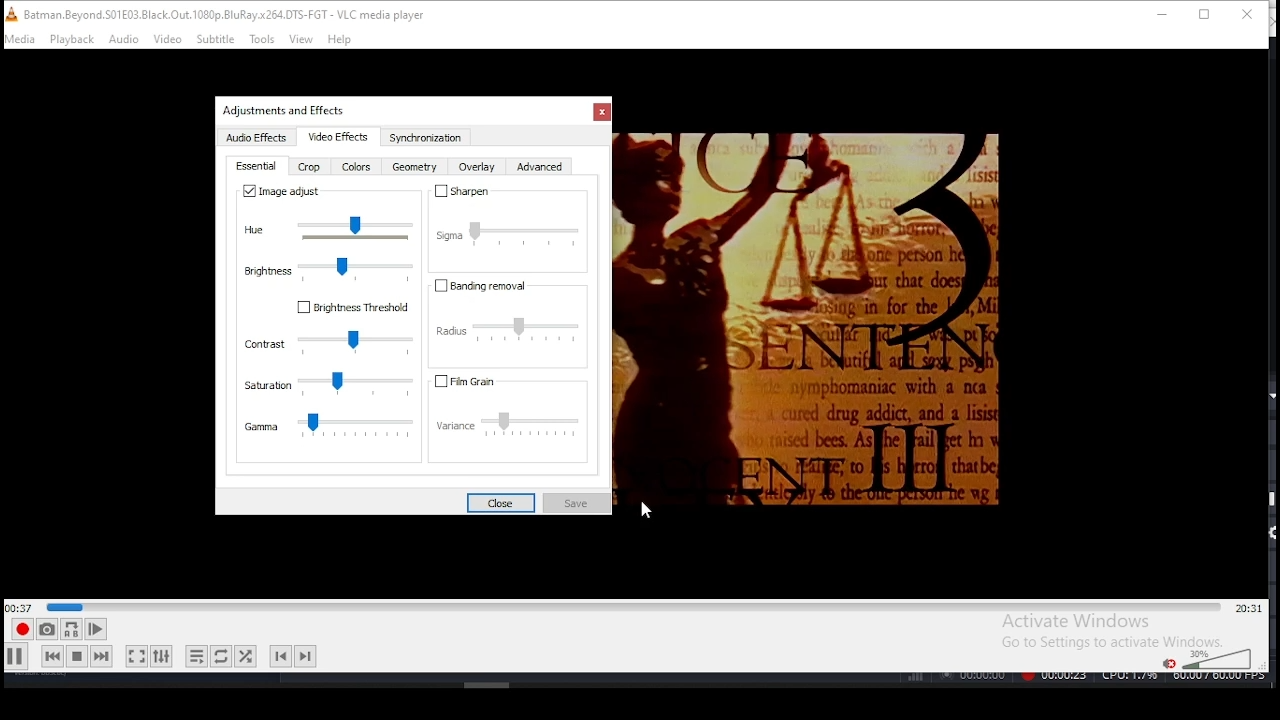  Describe the element at coordinates (1248, 16) in the screenshot. I see `close window` at that location.